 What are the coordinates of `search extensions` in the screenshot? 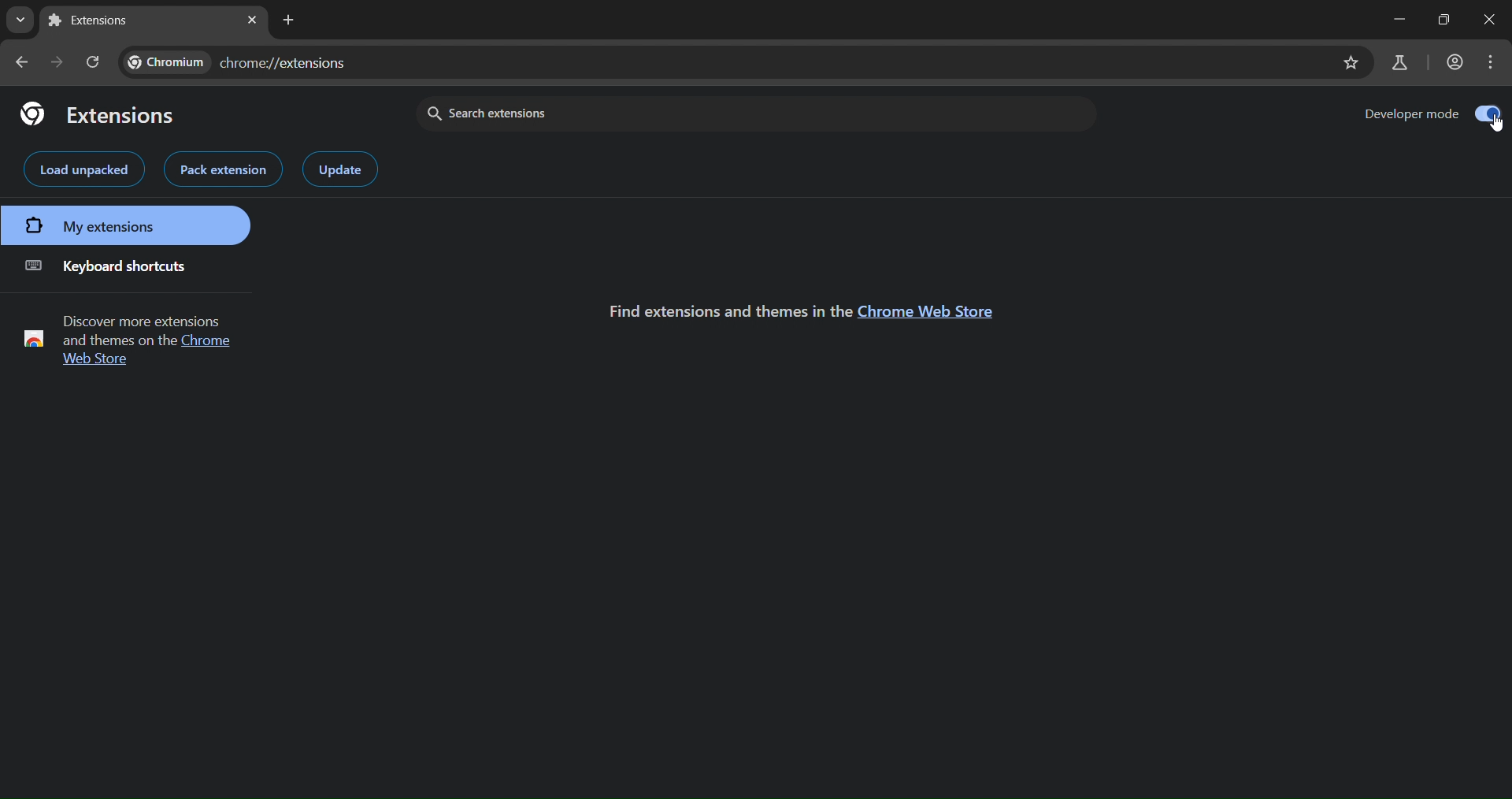 It's located at (661, 113).